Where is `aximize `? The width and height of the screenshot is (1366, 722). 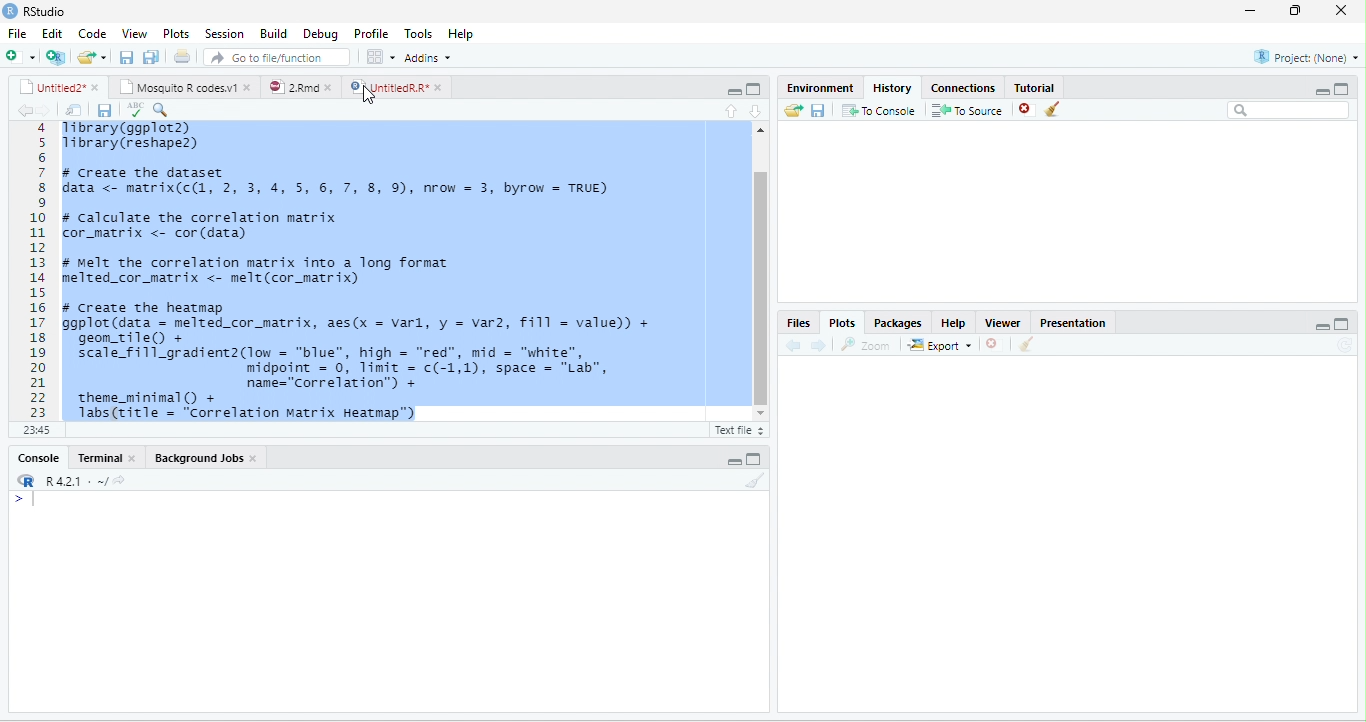 aximize  is located at coordinates (1348, 86).